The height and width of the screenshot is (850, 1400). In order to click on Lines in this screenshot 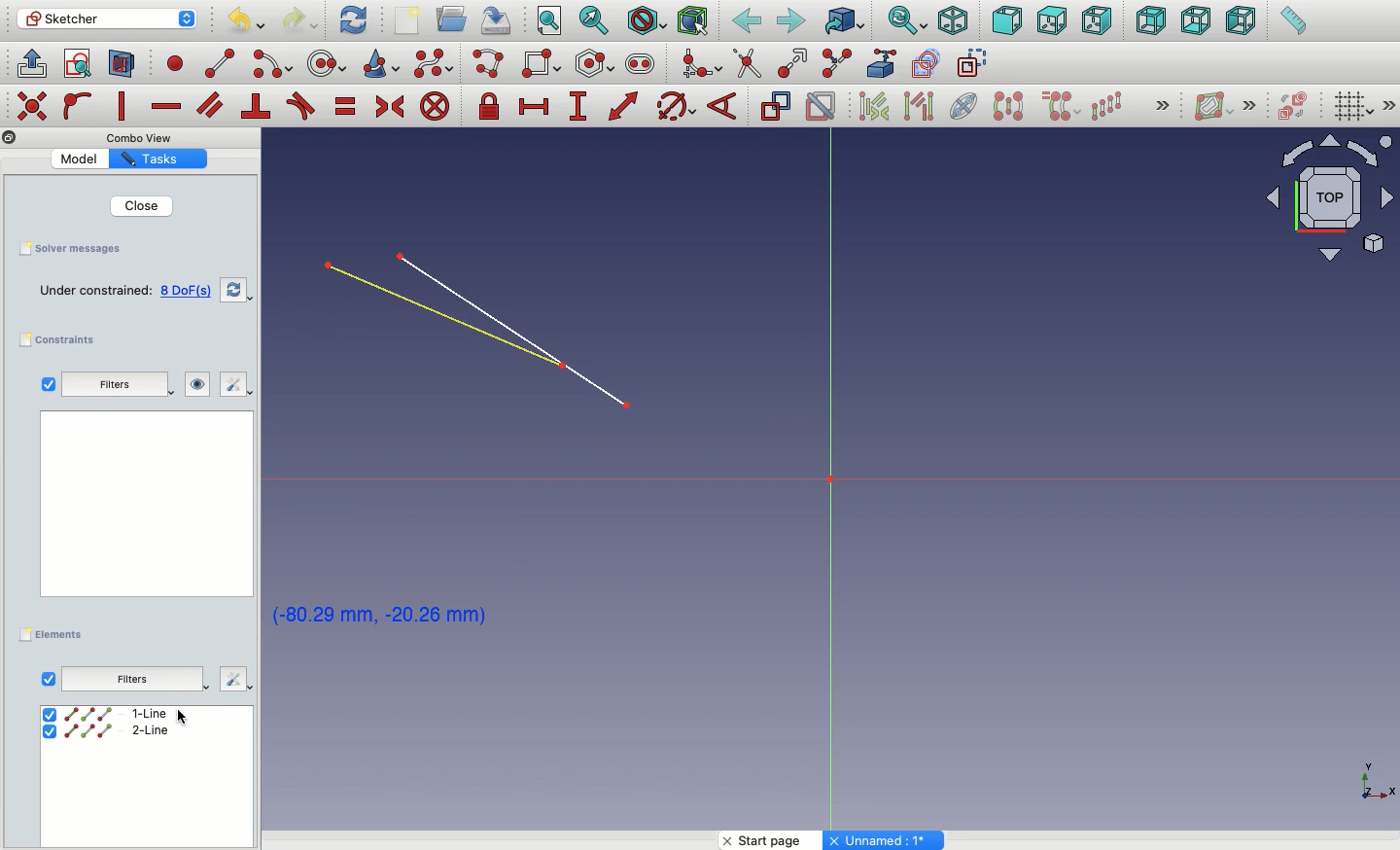, I will do `click(473, 331)`.